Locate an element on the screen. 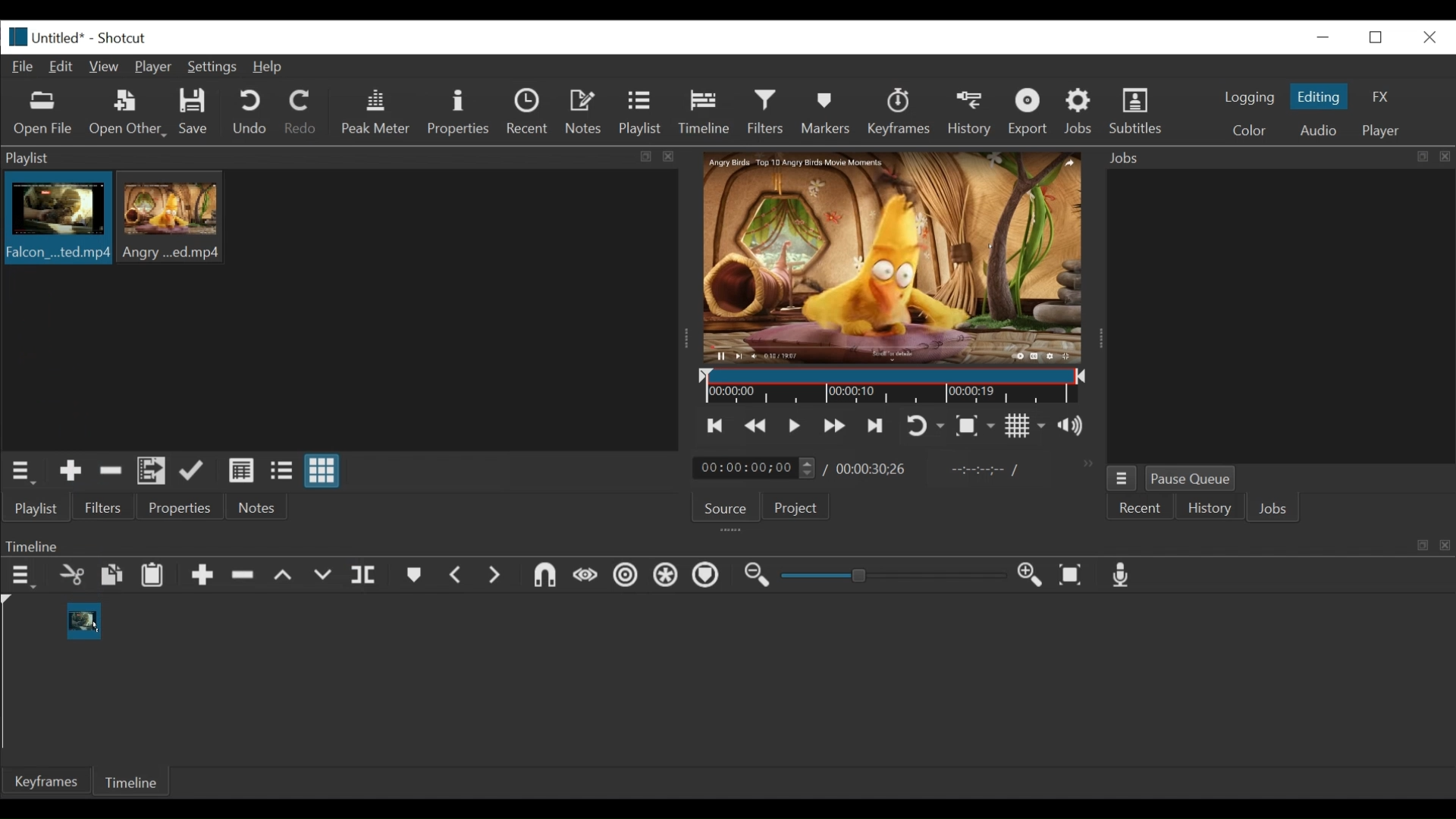  Notes is located at coordinates (586, 112).